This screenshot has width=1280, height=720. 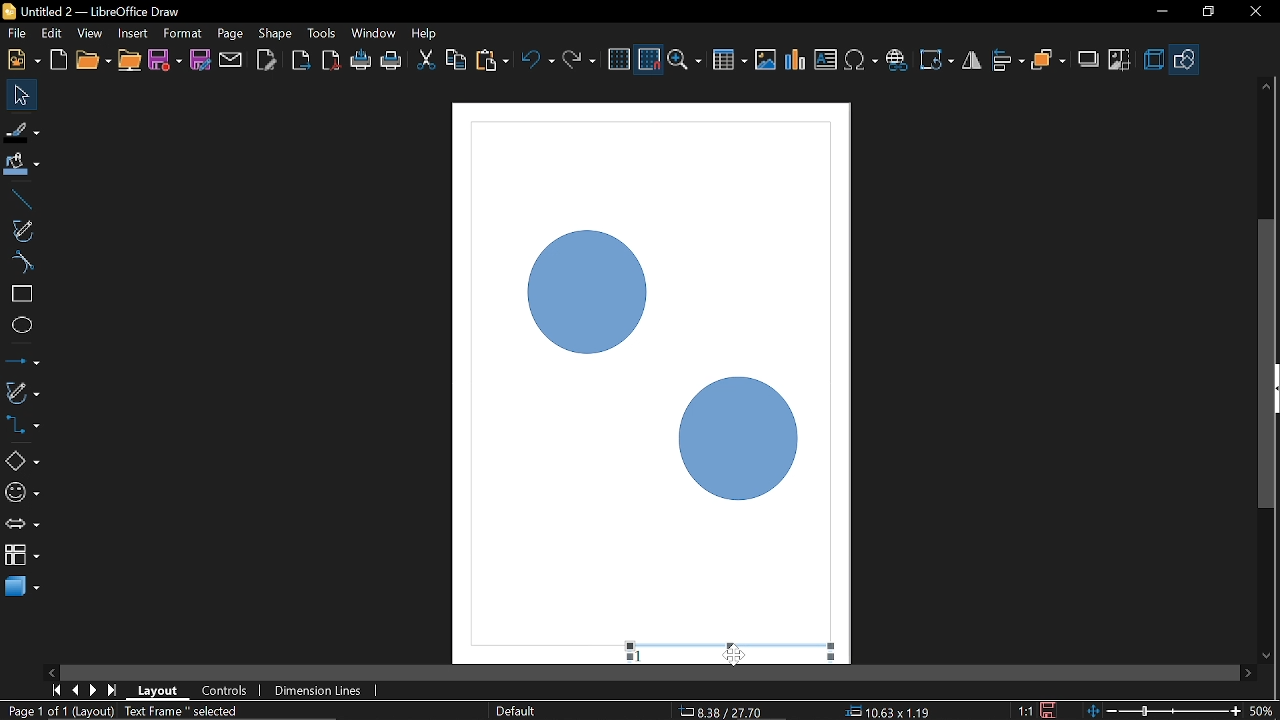 What do you see at coordinates (332, 62) in the screenshot?
I see `Export directly as pdf` at bounding box center [332, 62].